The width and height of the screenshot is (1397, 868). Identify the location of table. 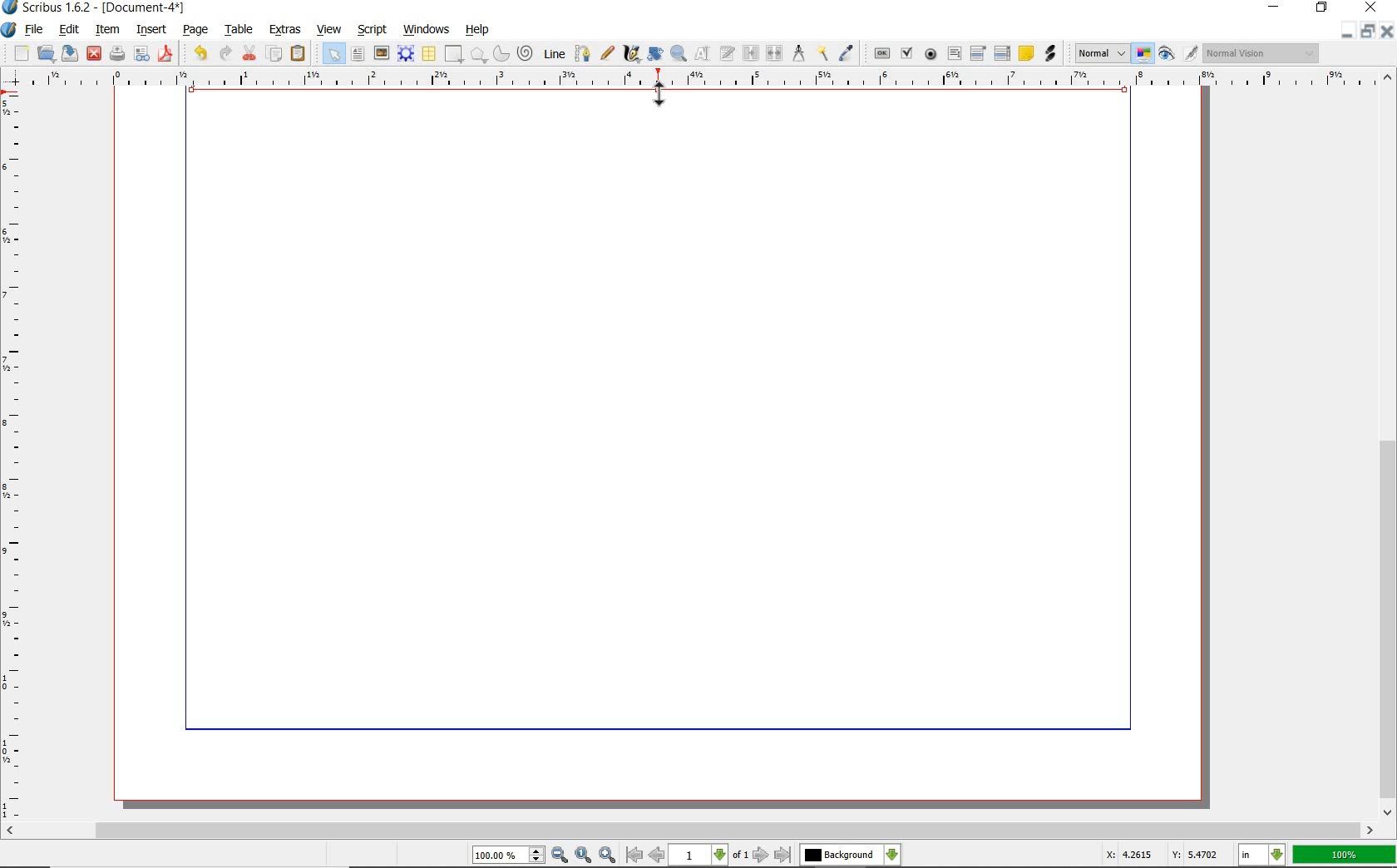
(429, 54).